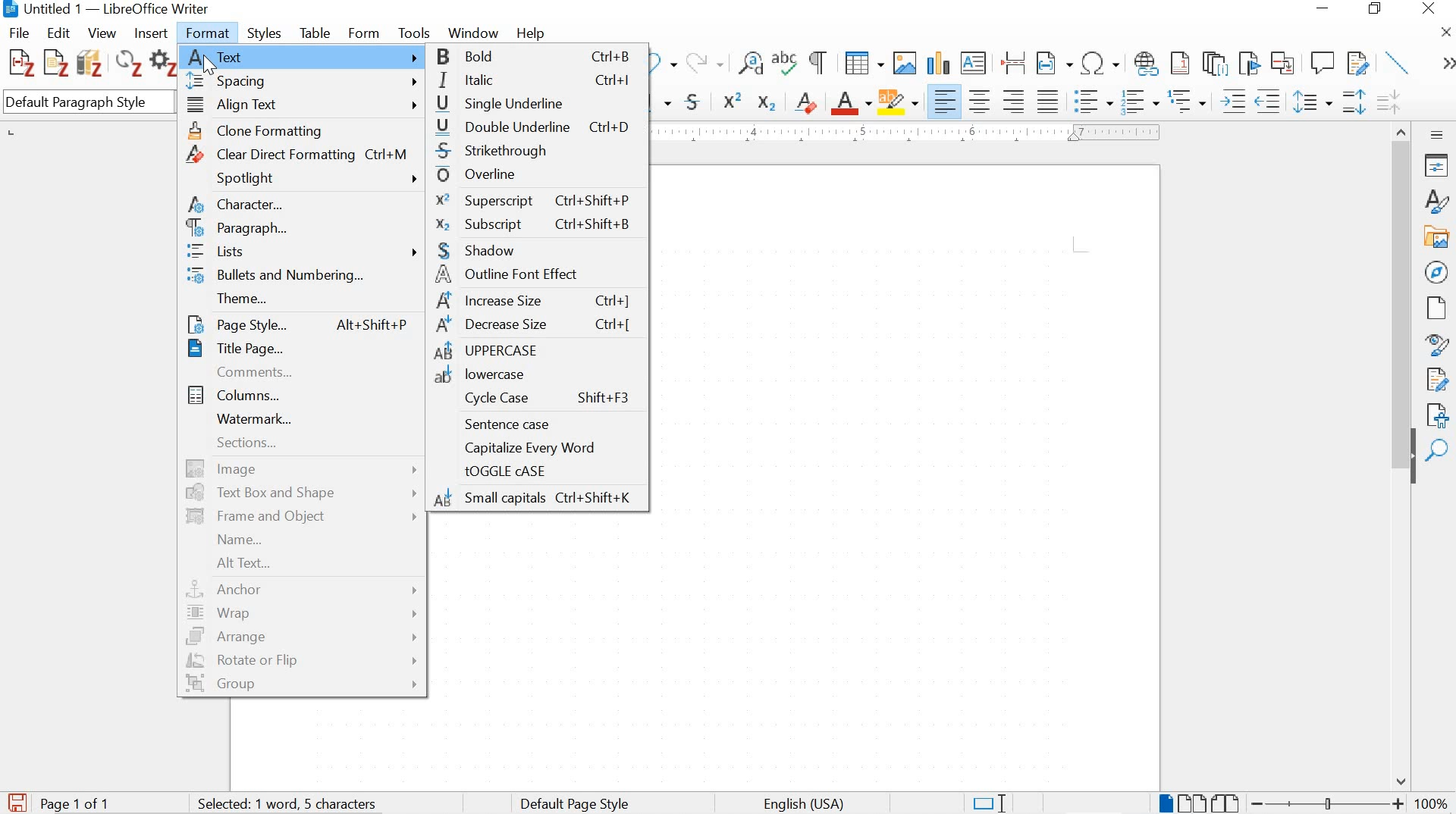 The width and height of the screenshot is (1456, 814). What do you see at coordinates (1439, 451) in the screenshot?
I see `find` at bounding box center [1439, 451].